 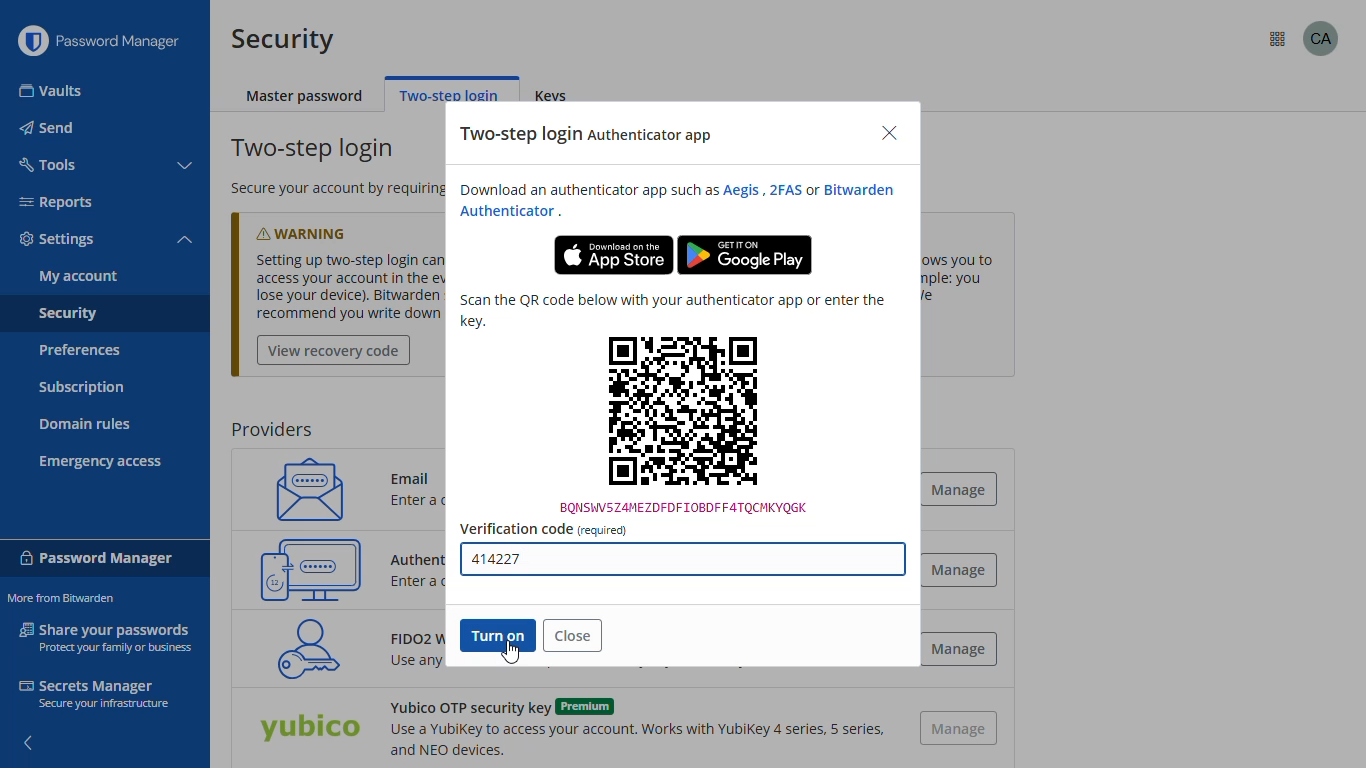 I want to click on manage, so click(x=964, y=569).